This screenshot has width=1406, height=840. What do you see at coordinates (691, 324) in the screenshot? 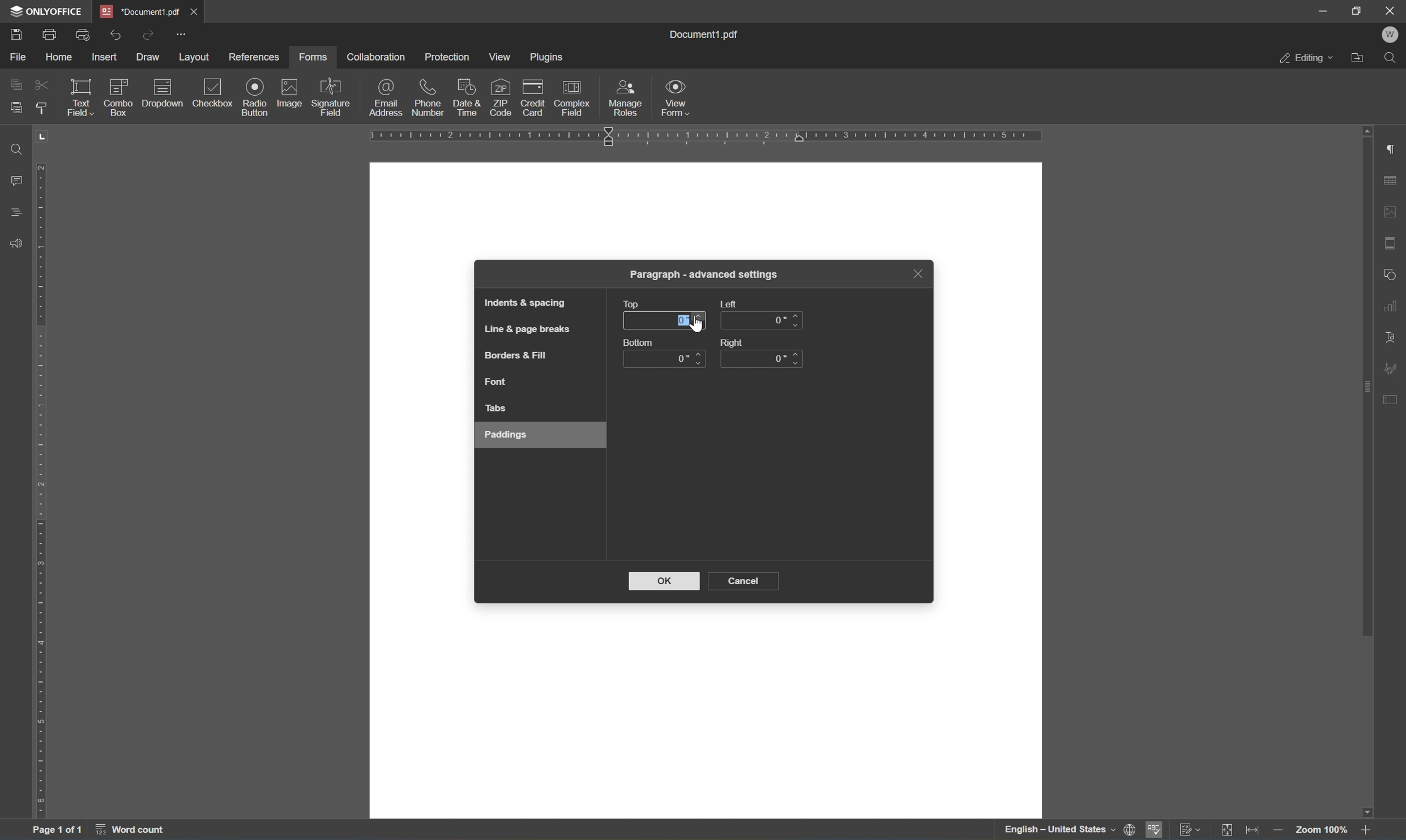
I see `0 with active cursor` at bounding box center [691, 324].